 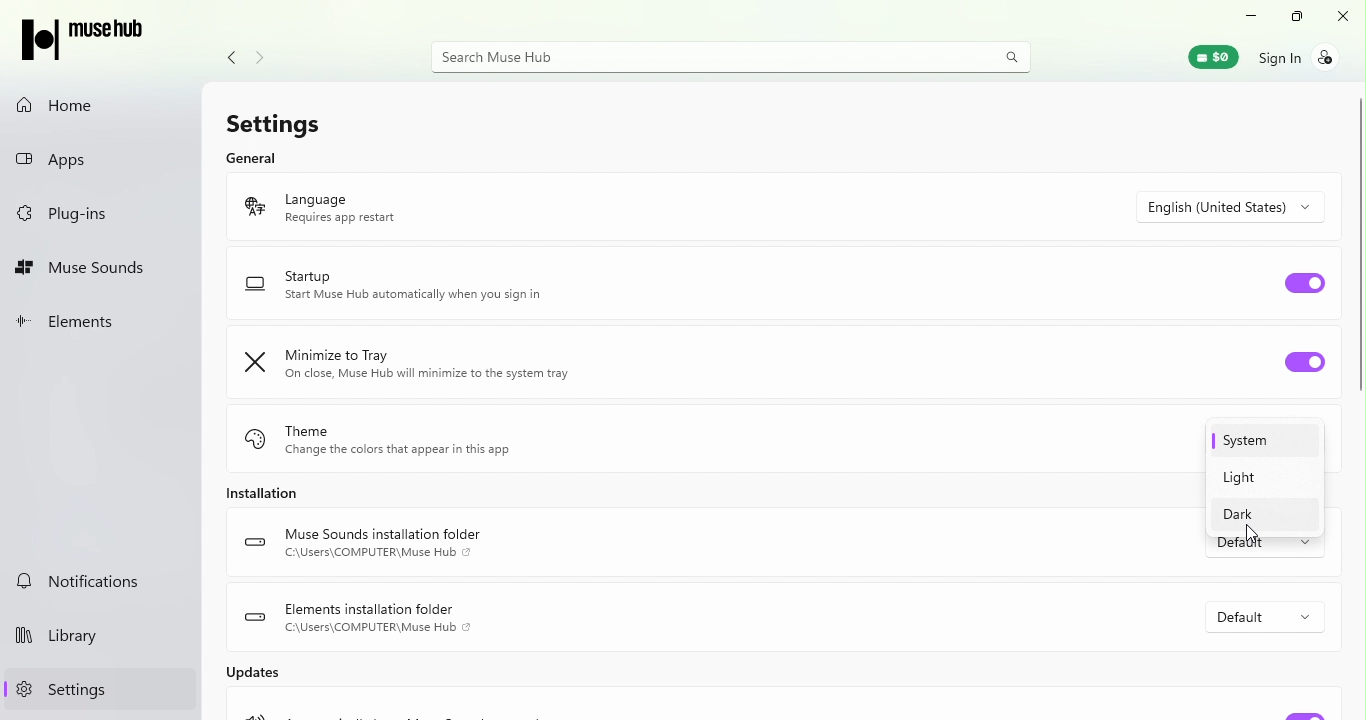 I want to click on Muse sounds, so click(x=88, y=272).